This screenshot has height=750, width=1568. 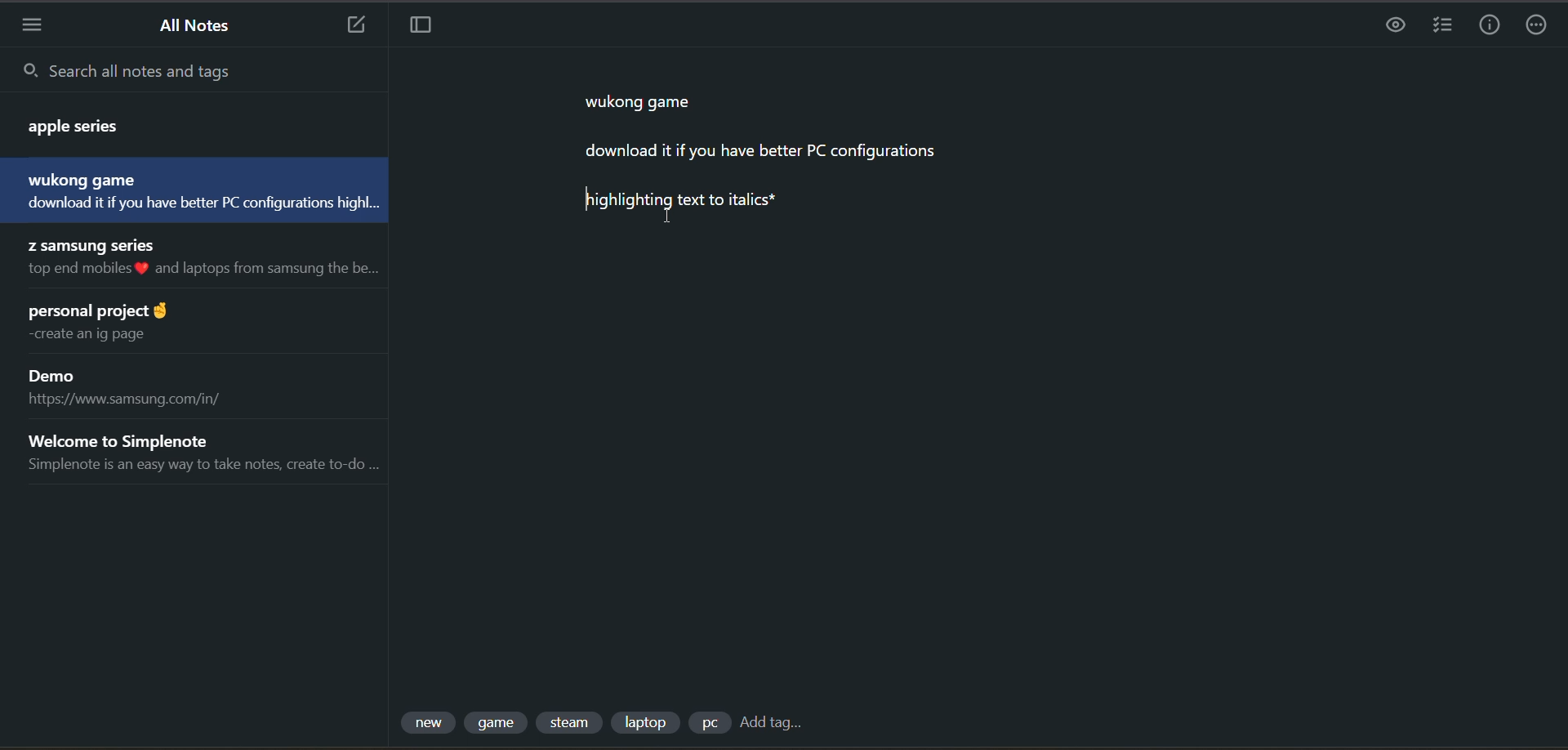 I want to click on all notes, so click(x=201, y=28).